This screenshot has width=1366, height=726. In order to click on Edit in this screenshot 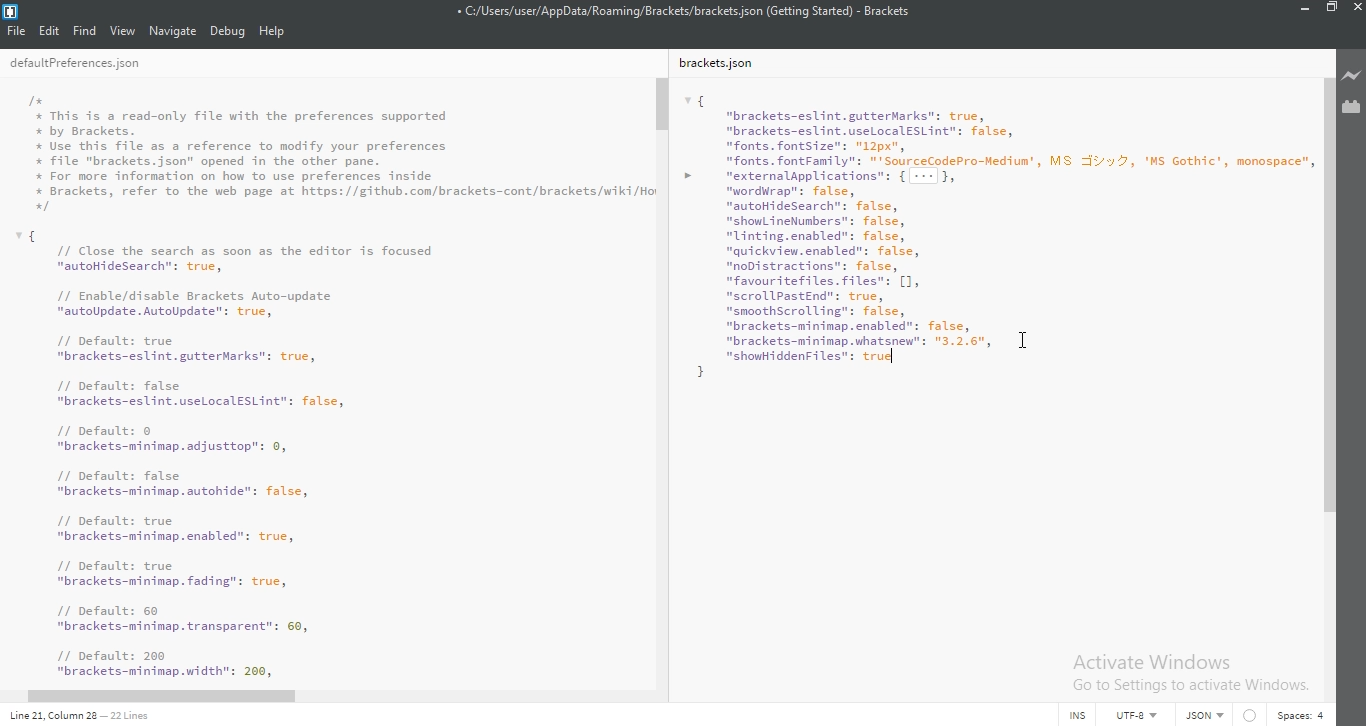, I will do `click(51, 30)`.